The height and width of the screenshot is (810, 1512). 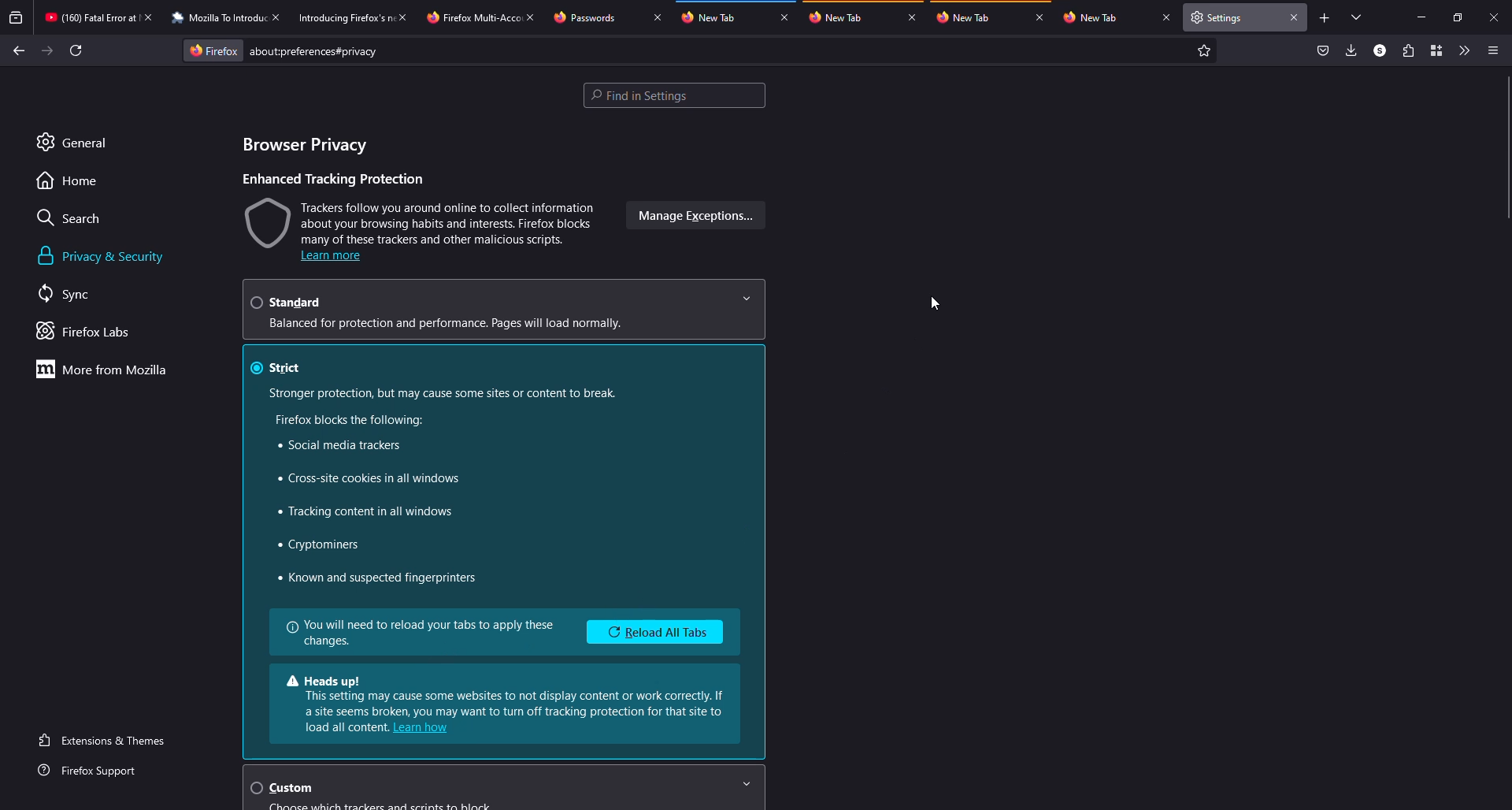 What do you see at coordinates (1502, 147) in the screenshot?
I see `vertical scroll bar` at bounding box center [1502, 147].